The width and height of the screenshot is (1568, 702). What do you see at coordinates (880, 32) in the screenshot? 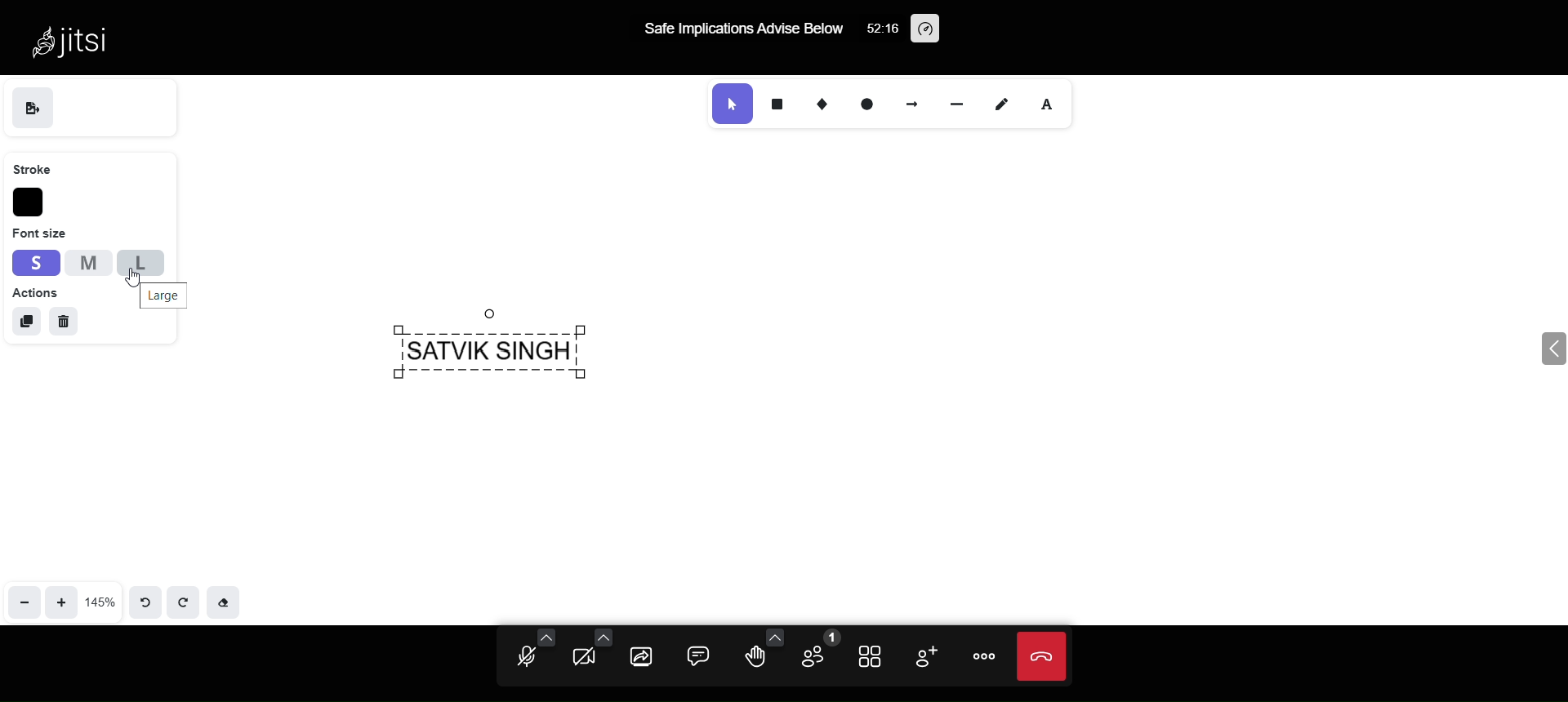
I see `52:16` at bounding box center [880, 32].